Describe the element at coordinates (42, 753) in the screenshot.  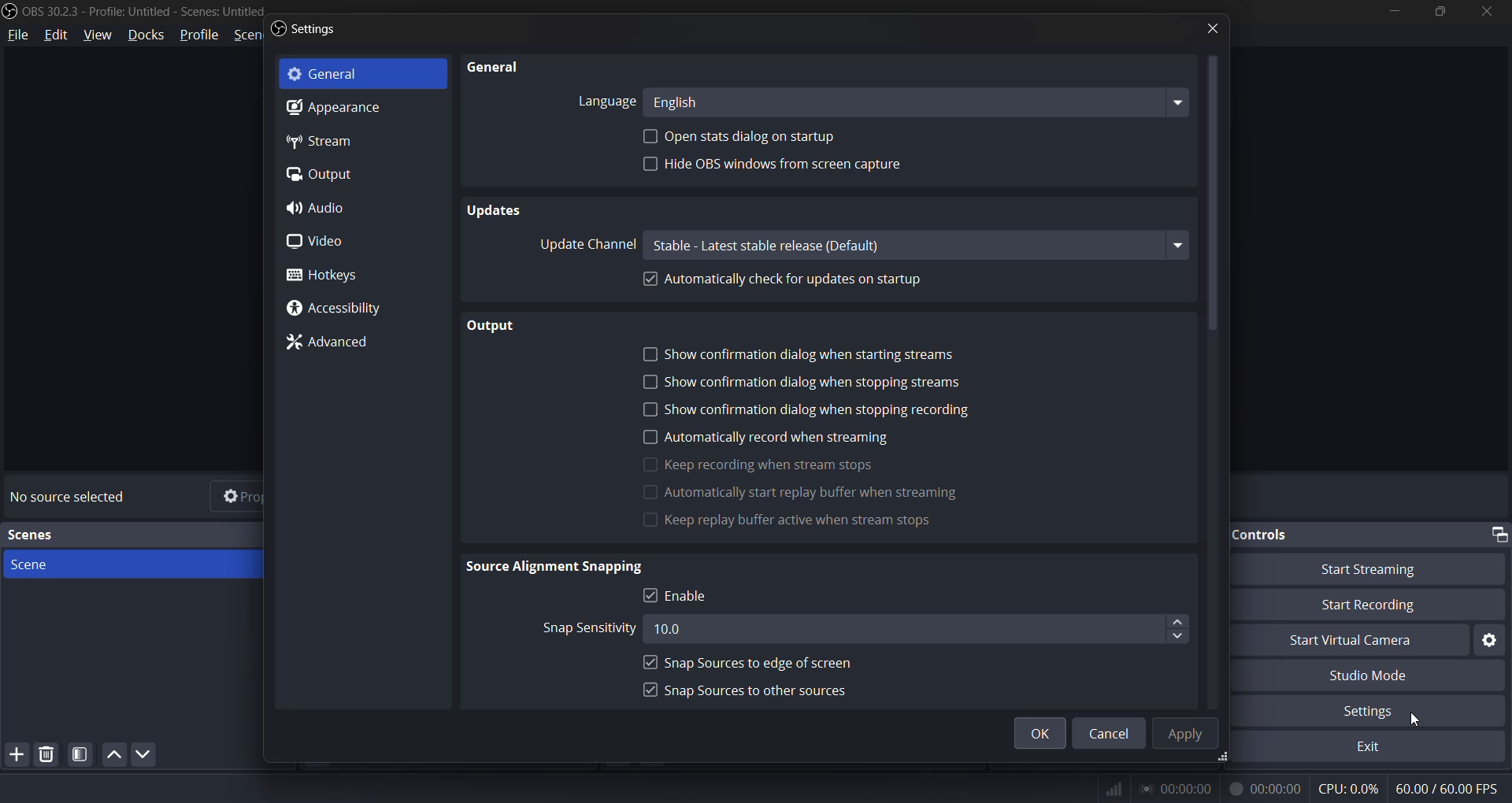
I see `delete source` at that location.